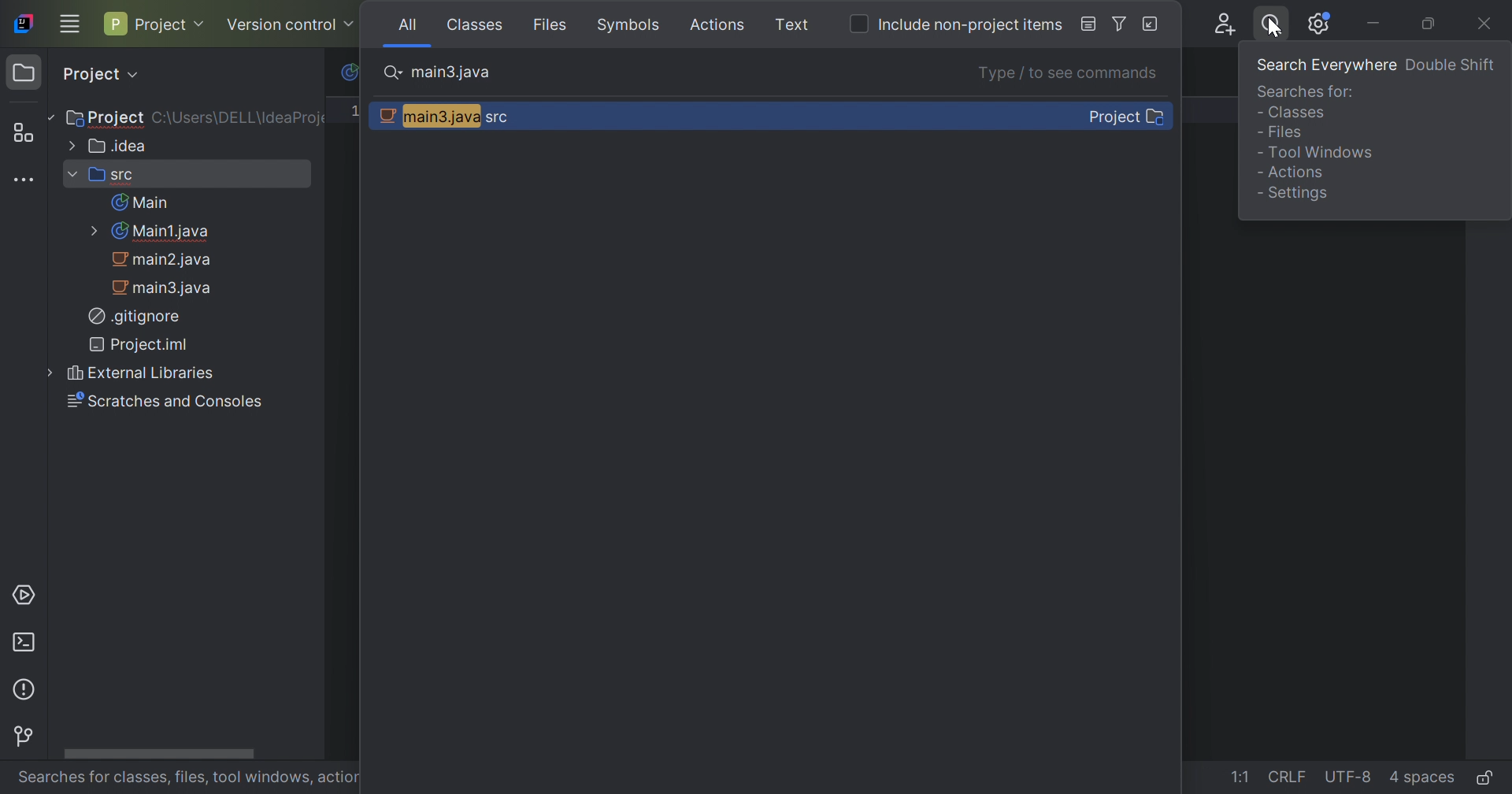  I want to click on Checkbox, so click(860, 22).